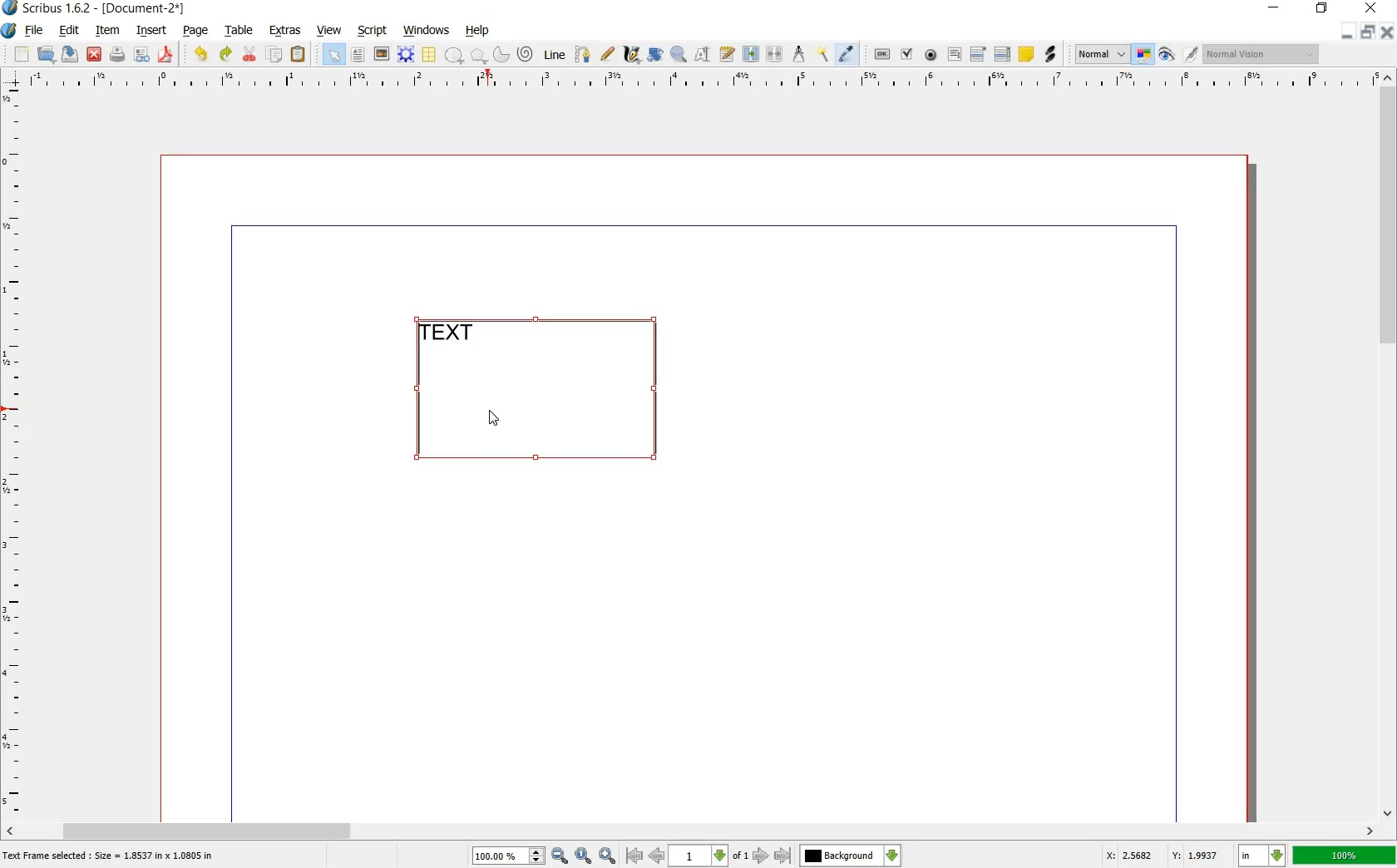 Image resolution: width=1397 pixels, height=868 pixels. Describe the element at coordinates (476, 55) in the screenshot. I see `polygon` at that location.